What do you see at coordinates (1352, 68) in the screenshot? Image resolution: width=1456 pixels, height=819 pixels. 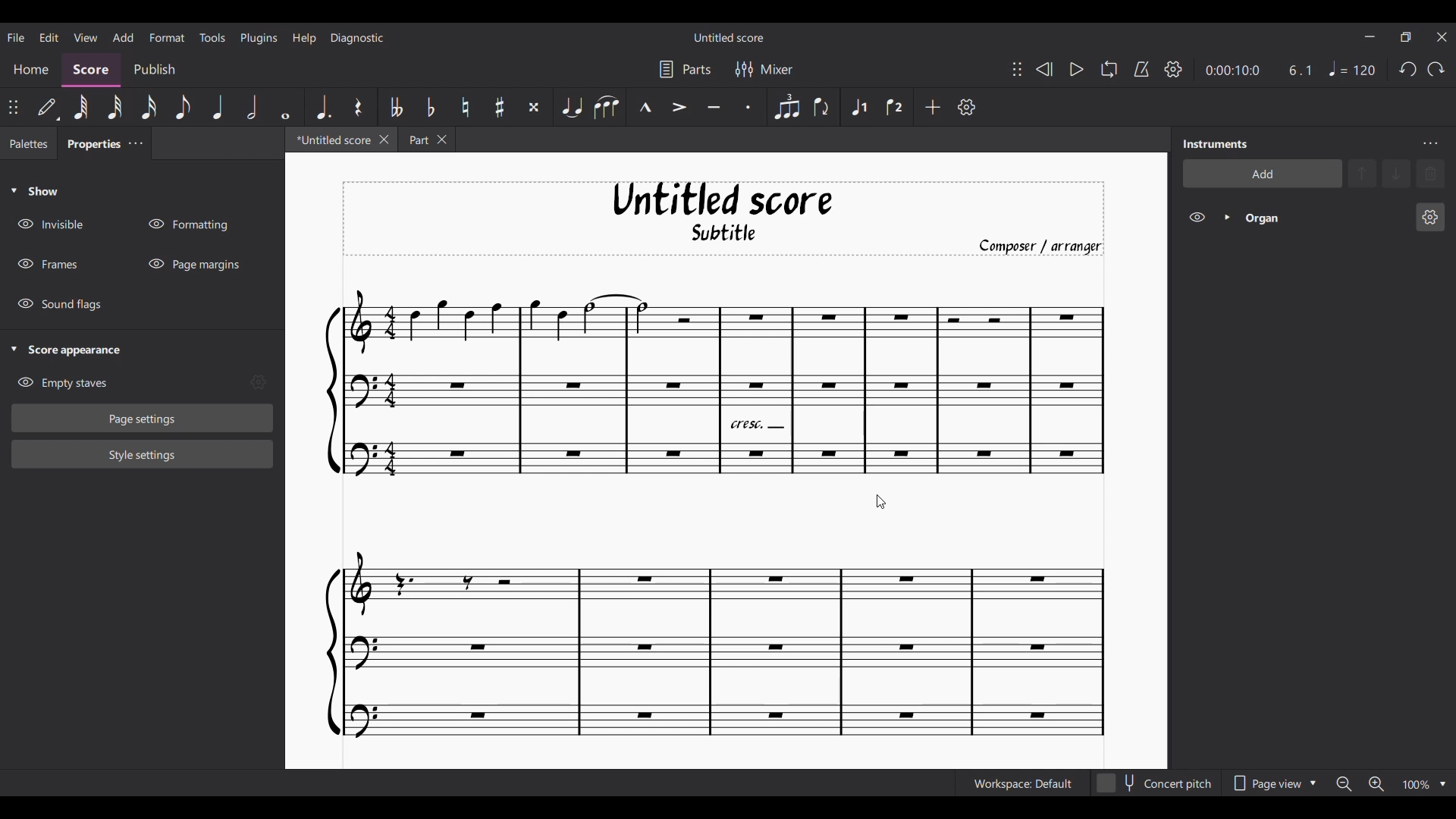 I see `Tempo` at bounding box center [1352, 68].